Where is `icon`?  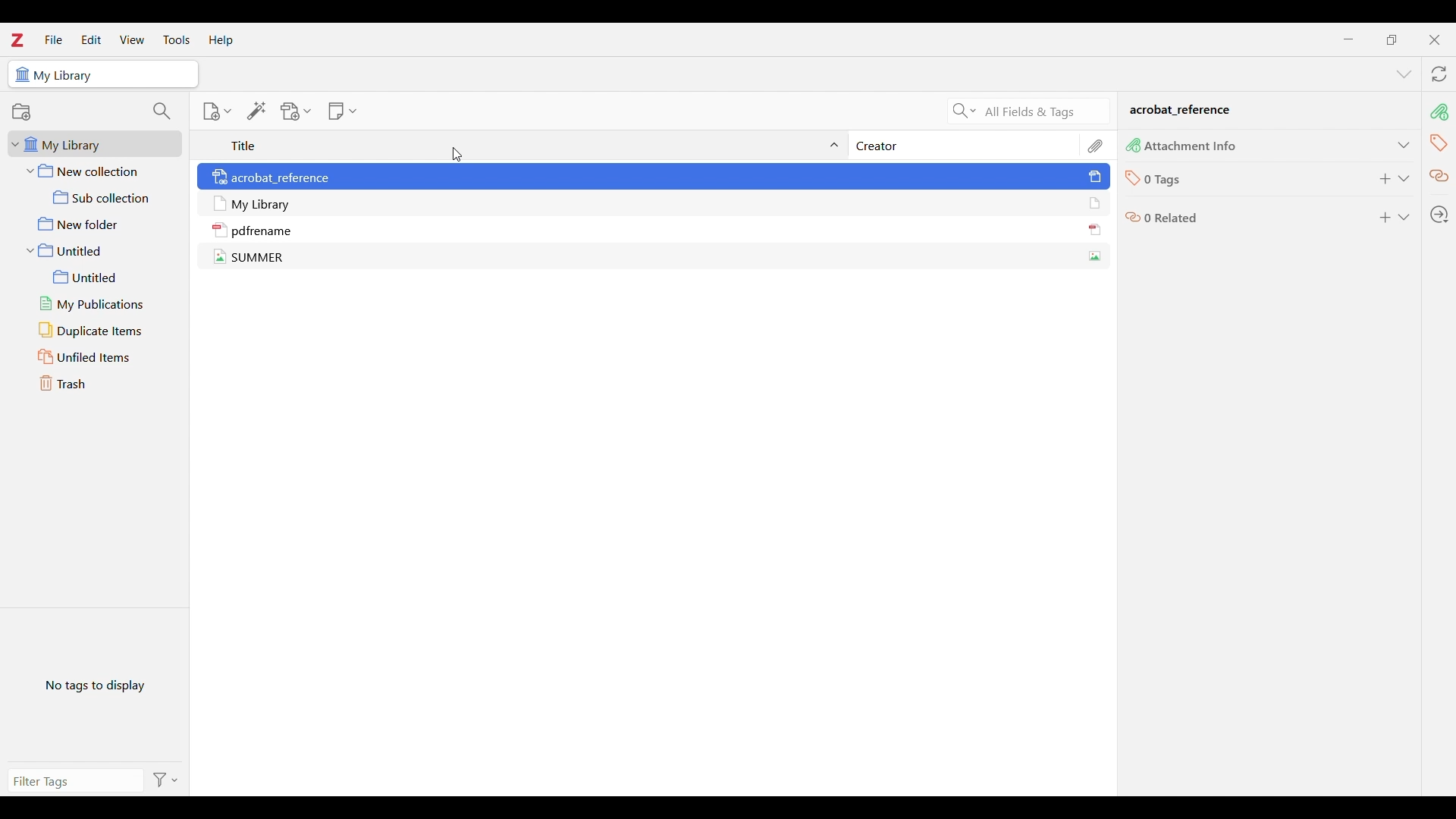 icon is located at coordinates (220, 230).